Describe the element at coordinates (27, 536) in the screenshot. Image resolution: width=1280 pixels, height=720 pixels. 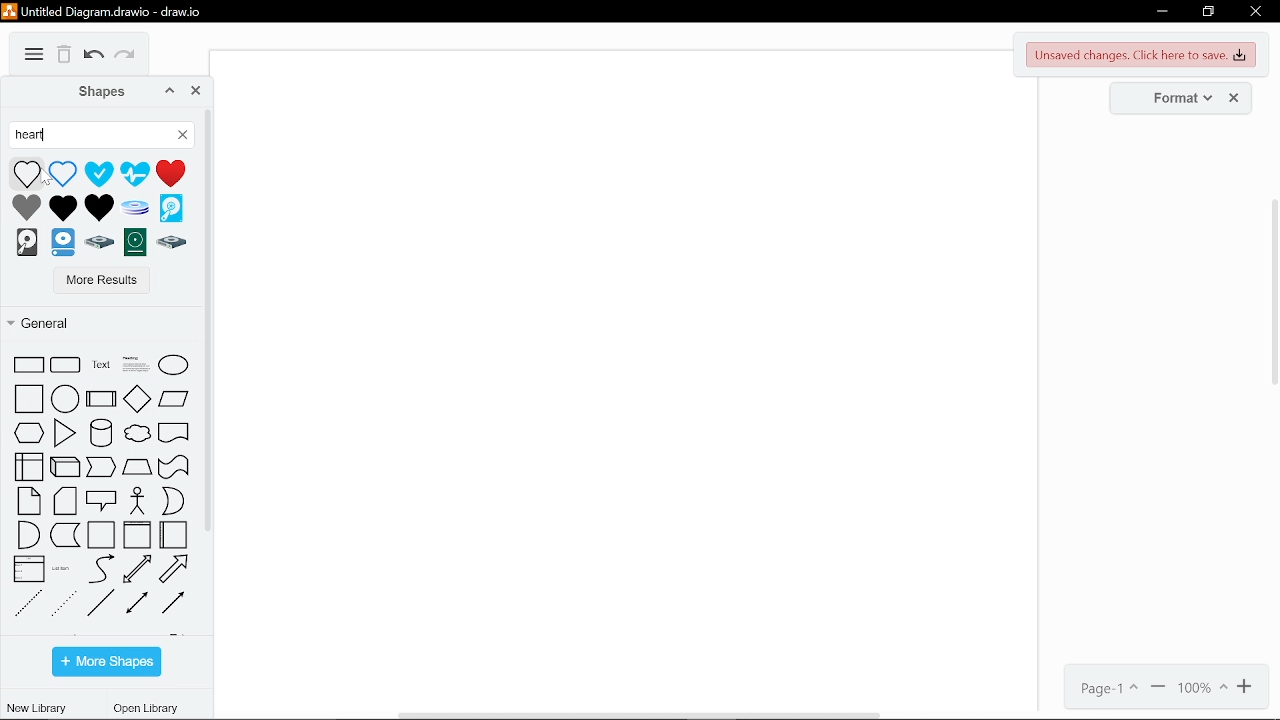
I see `and` at that location.